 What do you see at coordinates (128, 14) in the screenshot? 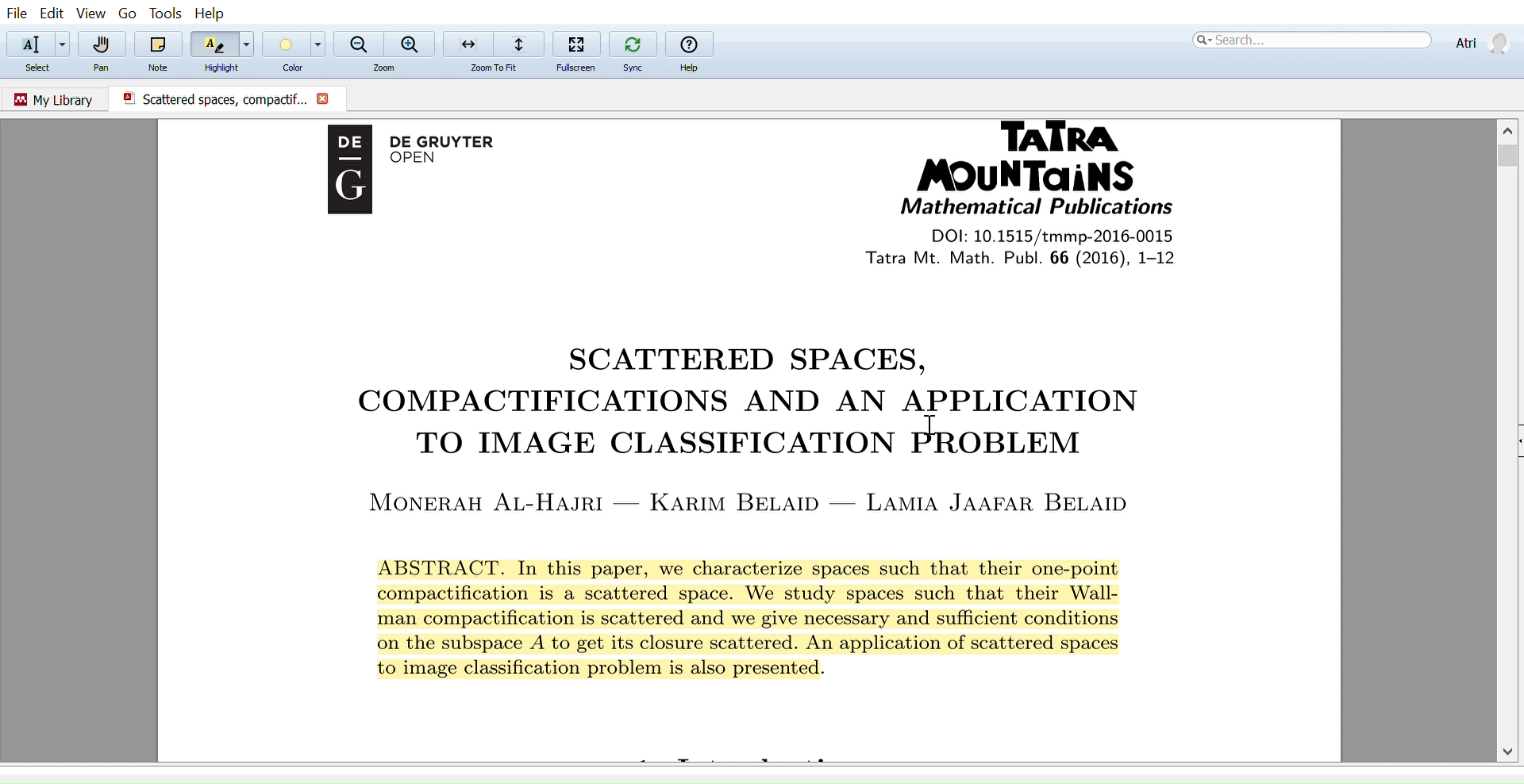
I see `go` at bounding box center [128, 14].